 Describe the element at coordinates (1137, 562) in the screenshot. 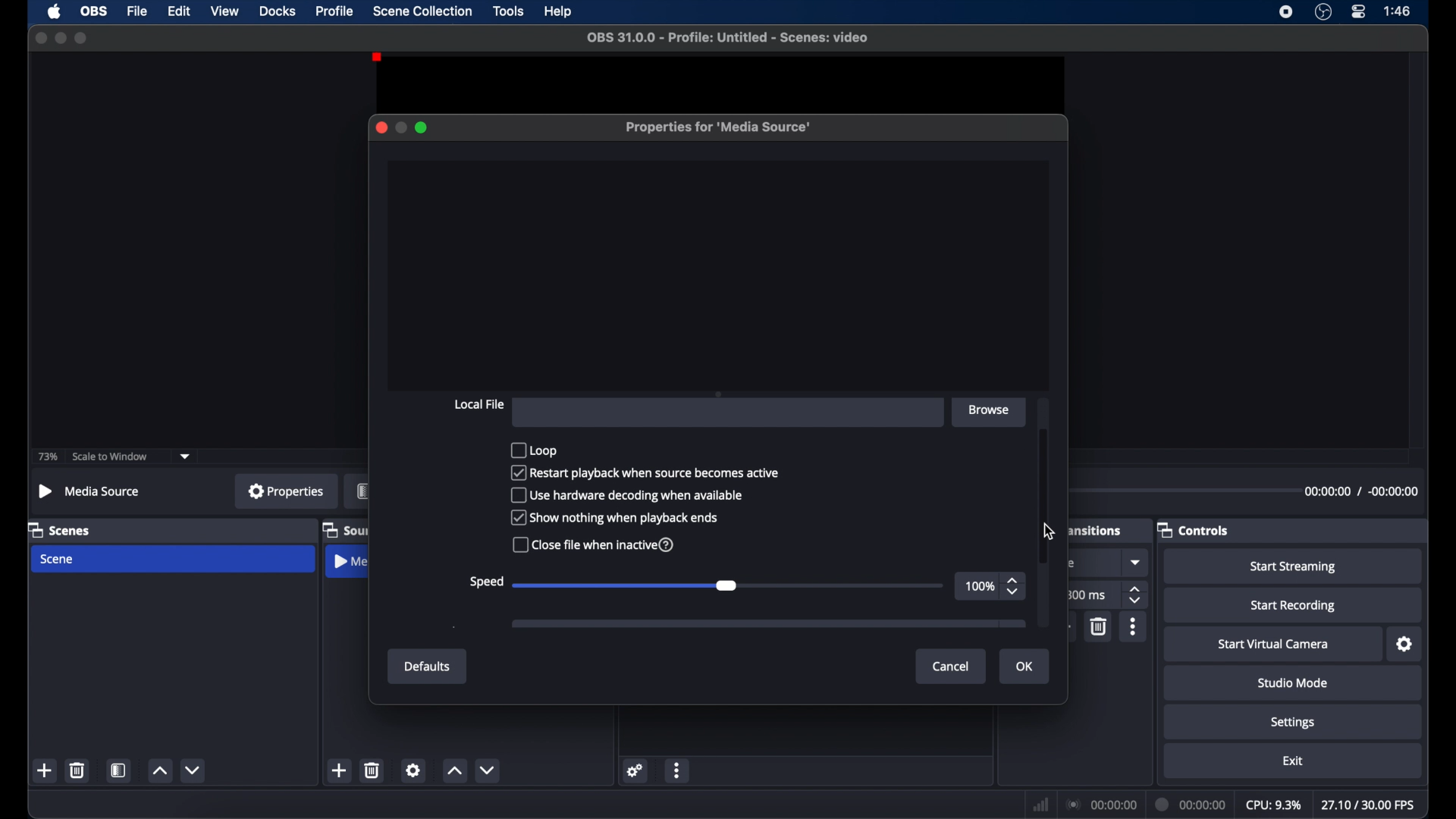

I see `dropdown` at that location.